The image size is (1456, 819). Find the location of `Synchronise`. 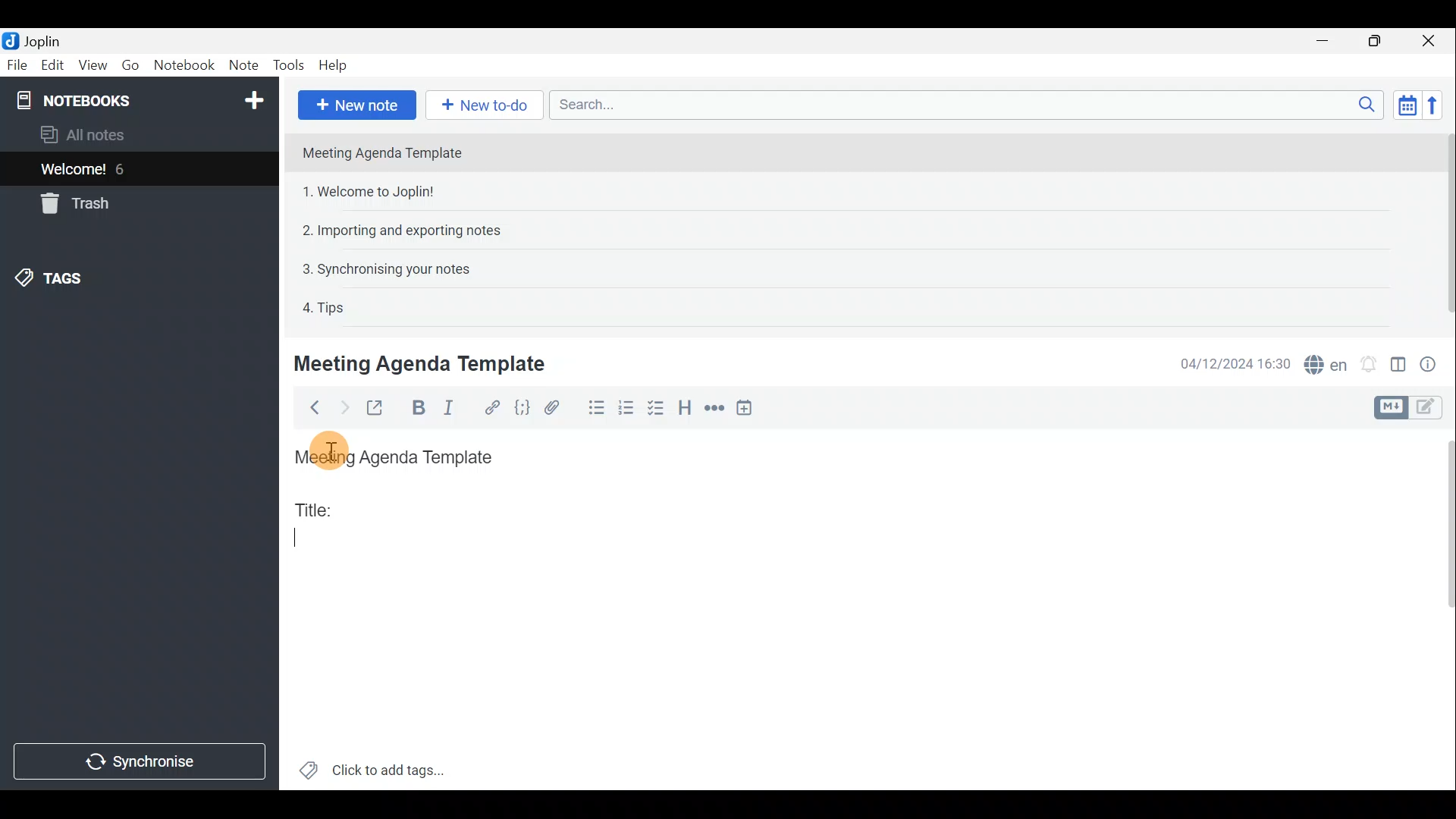

Synchronise is located at coordinates (140, 762).